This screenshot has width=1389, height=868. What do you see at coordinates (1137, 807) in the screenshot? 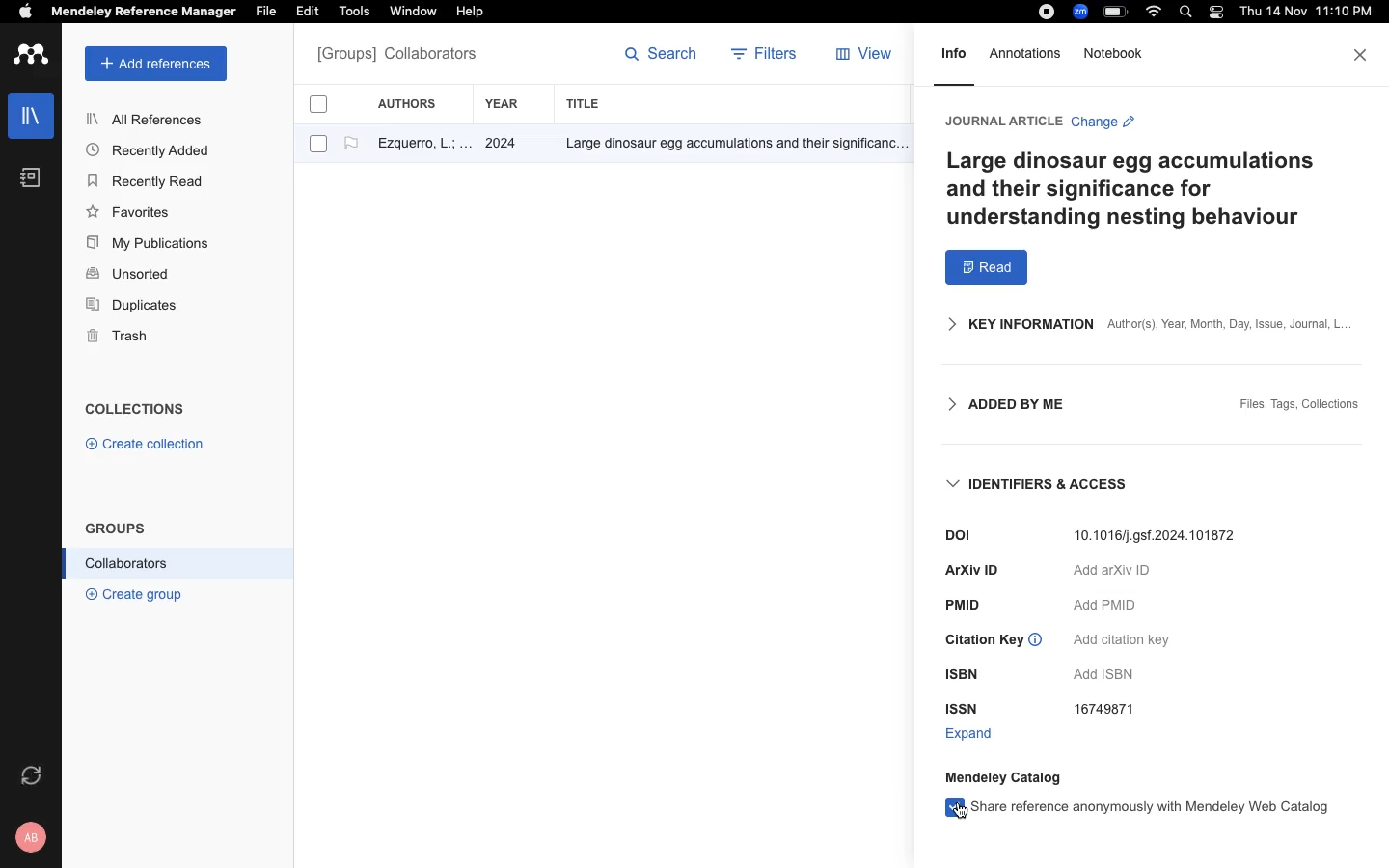
I see `Share reference anonymously with Mendeley Web Catalog` at bounding box center [1137, 807].